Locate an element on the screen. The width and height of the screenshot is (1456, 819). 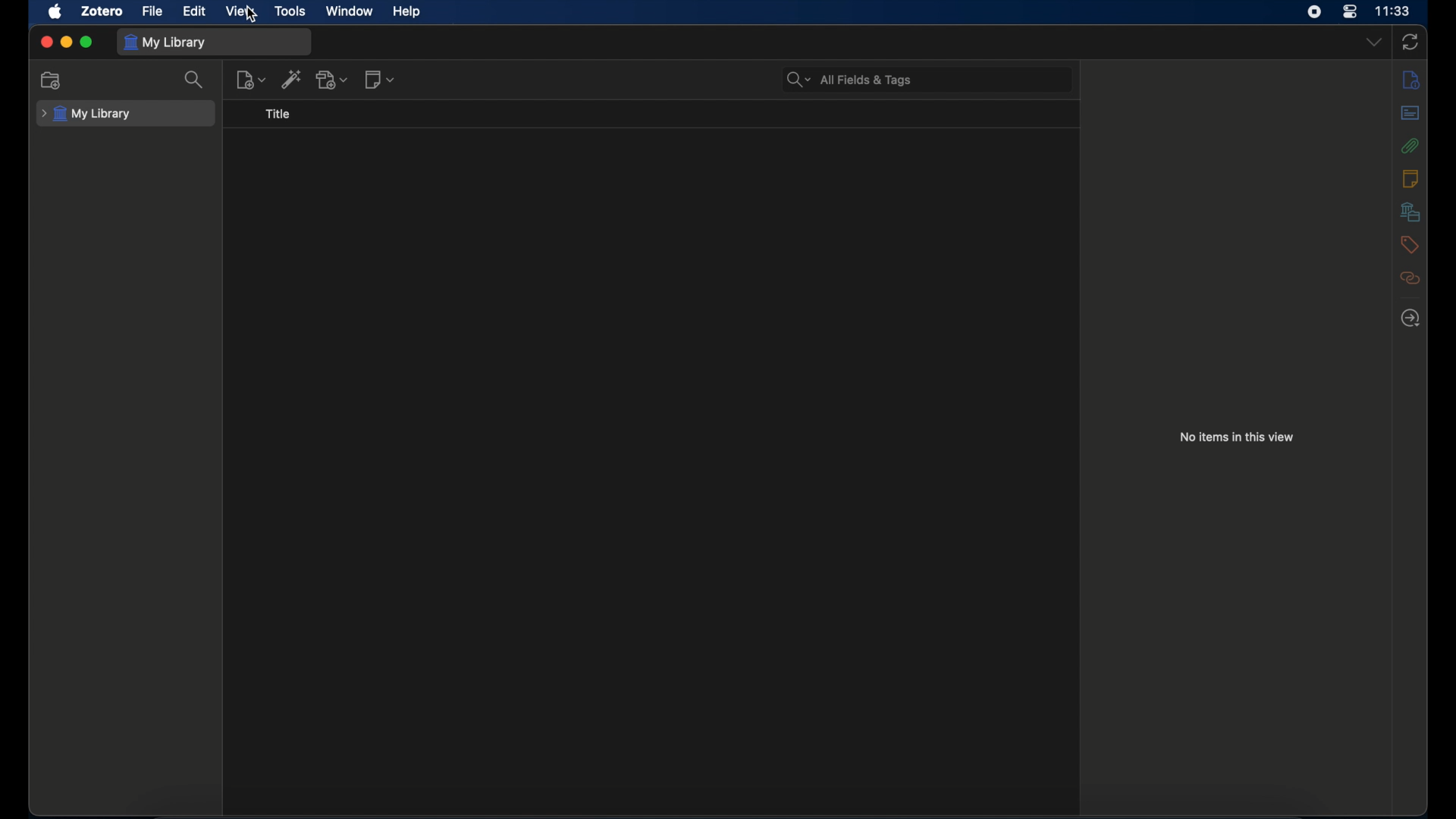
close is located at coordinates (45, 41).